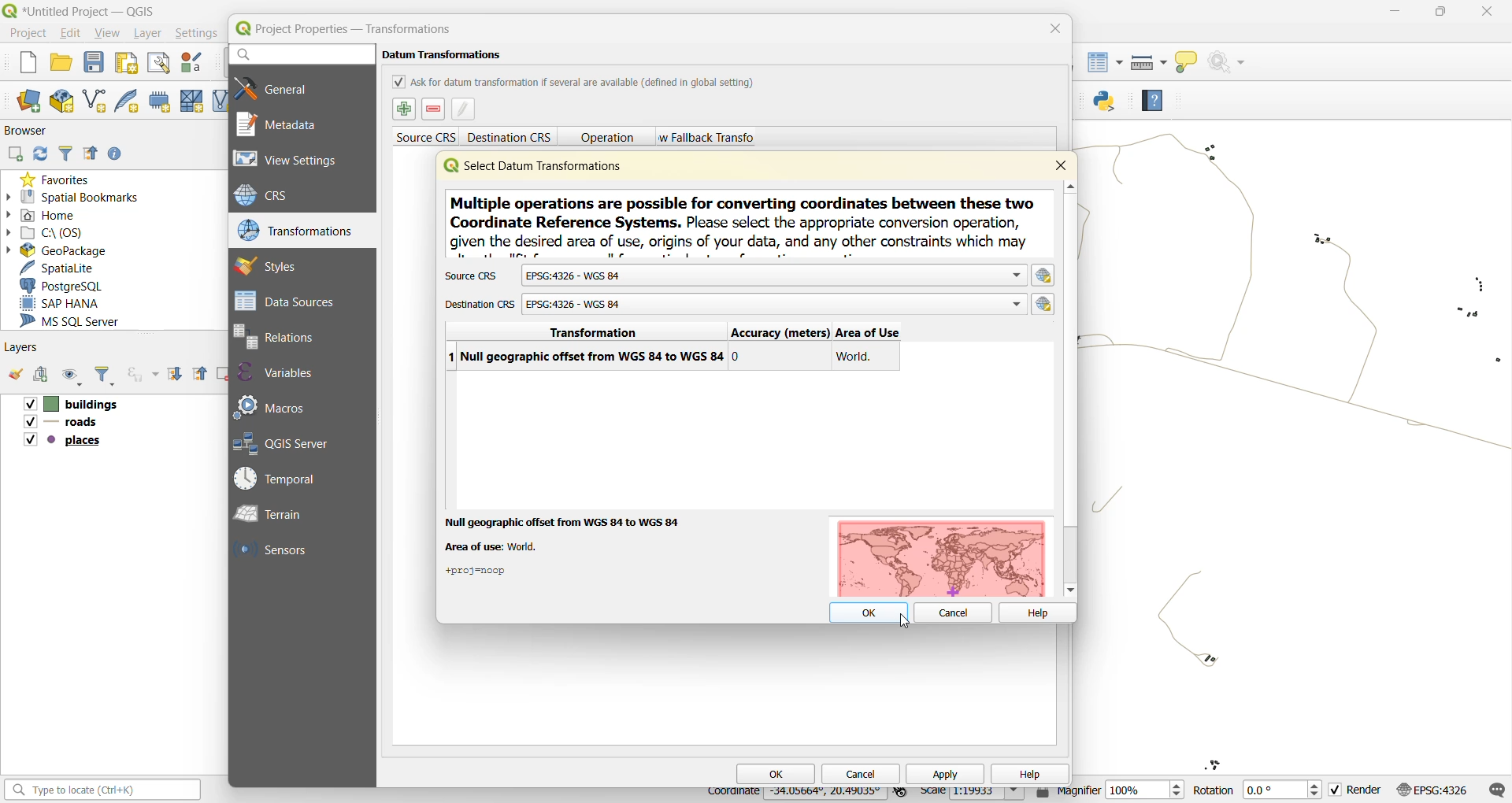 This screenshot has width=1512, height=803. I want to click on close, so click(1055, 30).